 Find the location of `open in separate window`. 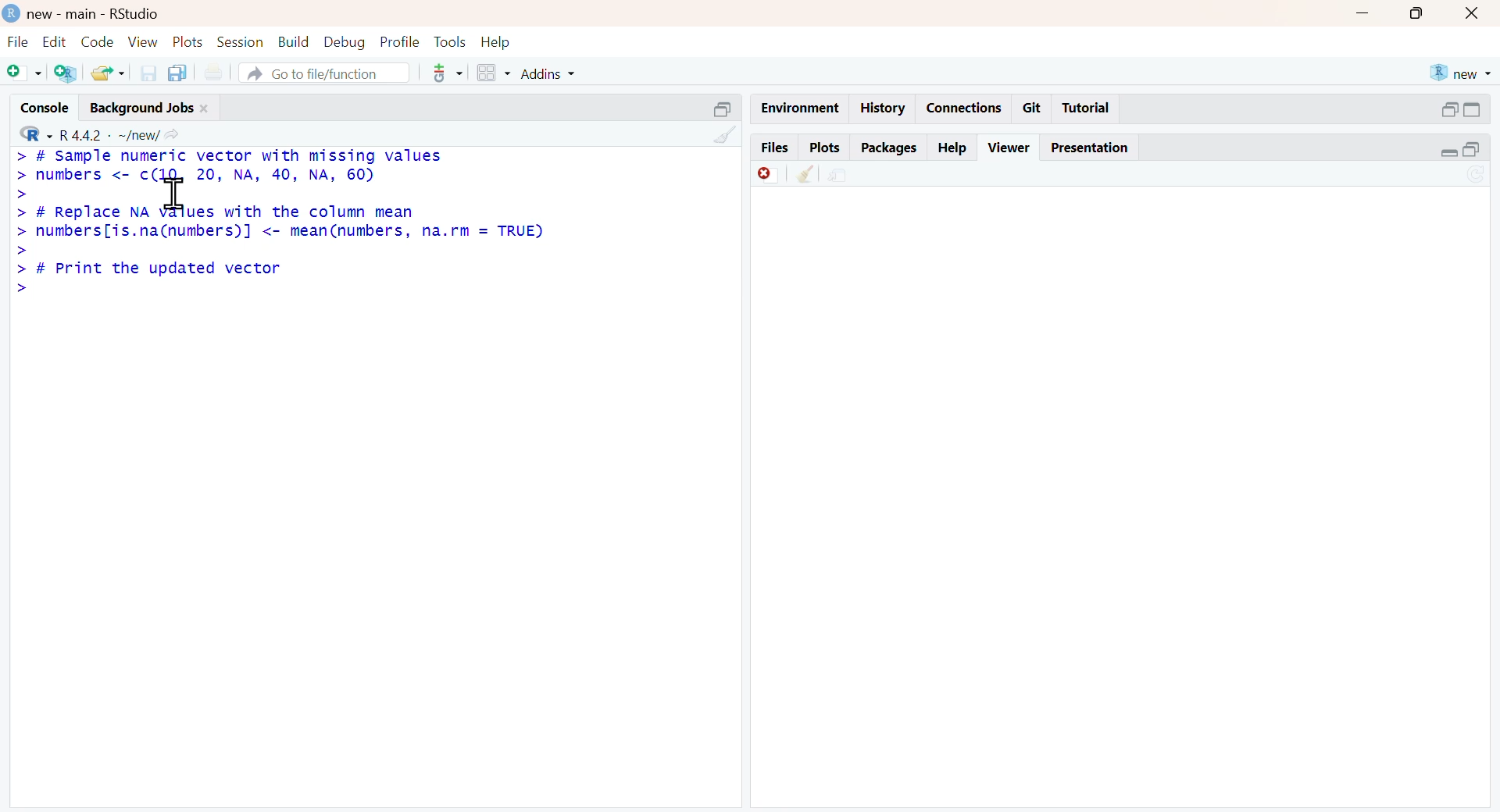

open in separate window is located at coordinates (724, 109).